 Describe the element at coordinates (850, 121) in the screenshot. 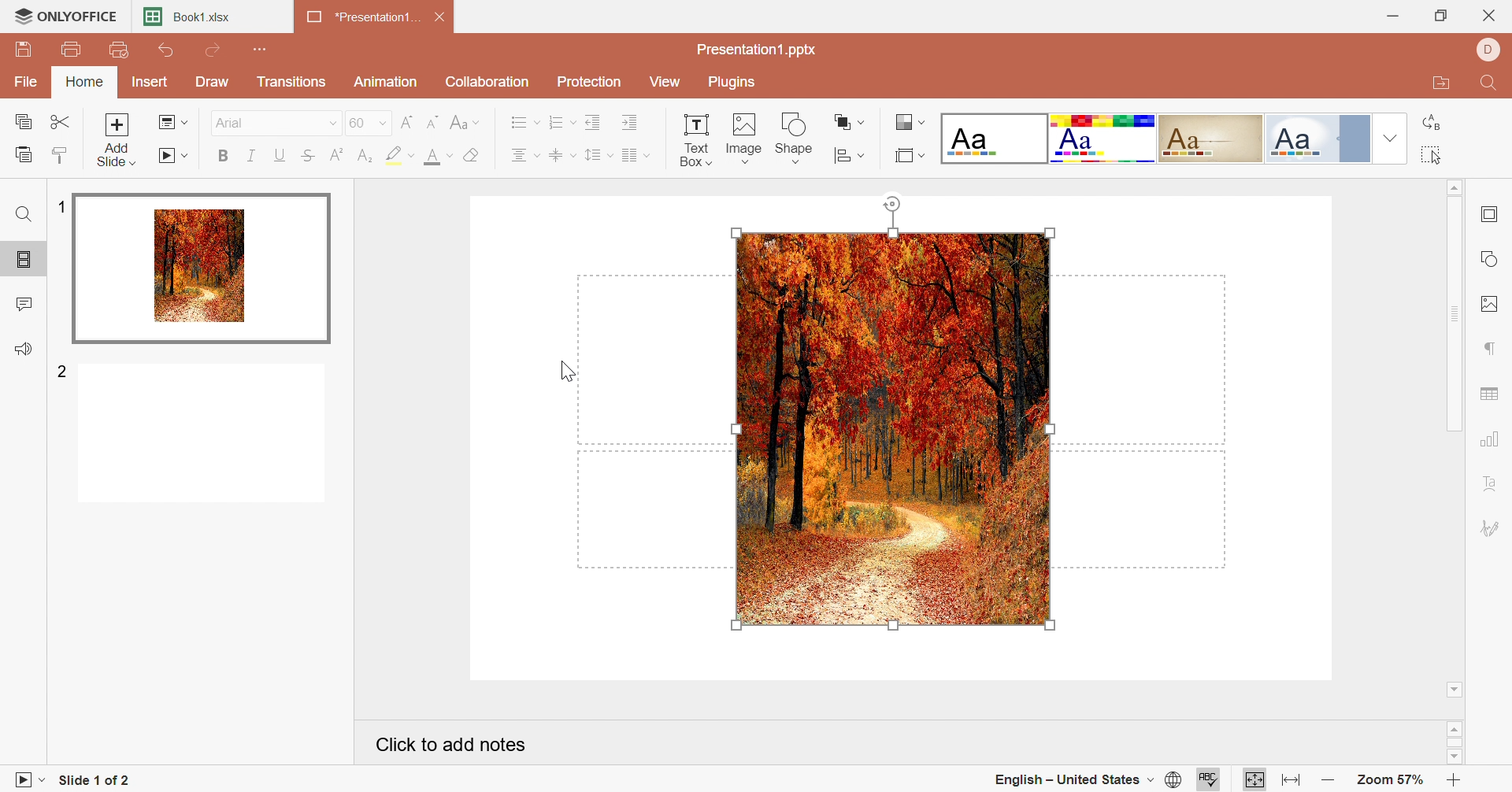

I see `Align shape` at that location.